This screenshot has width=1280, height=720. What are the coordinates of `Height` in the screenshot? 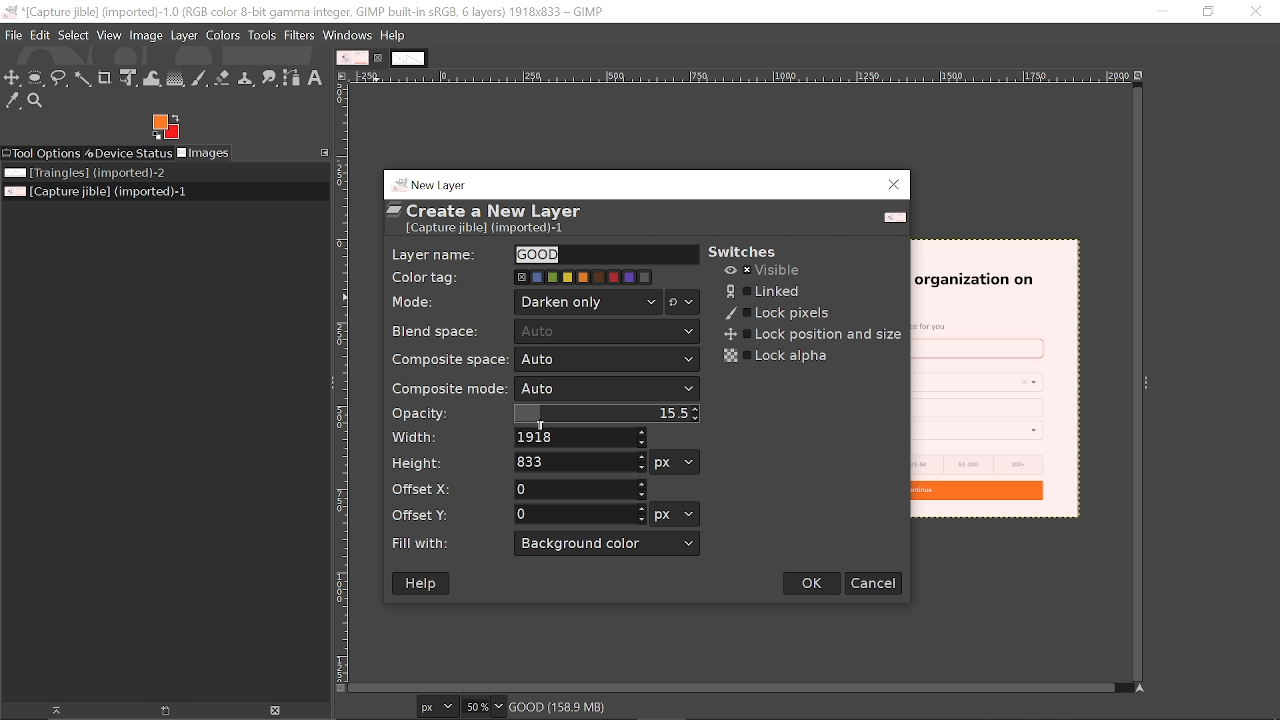 It's located at (580, 462).